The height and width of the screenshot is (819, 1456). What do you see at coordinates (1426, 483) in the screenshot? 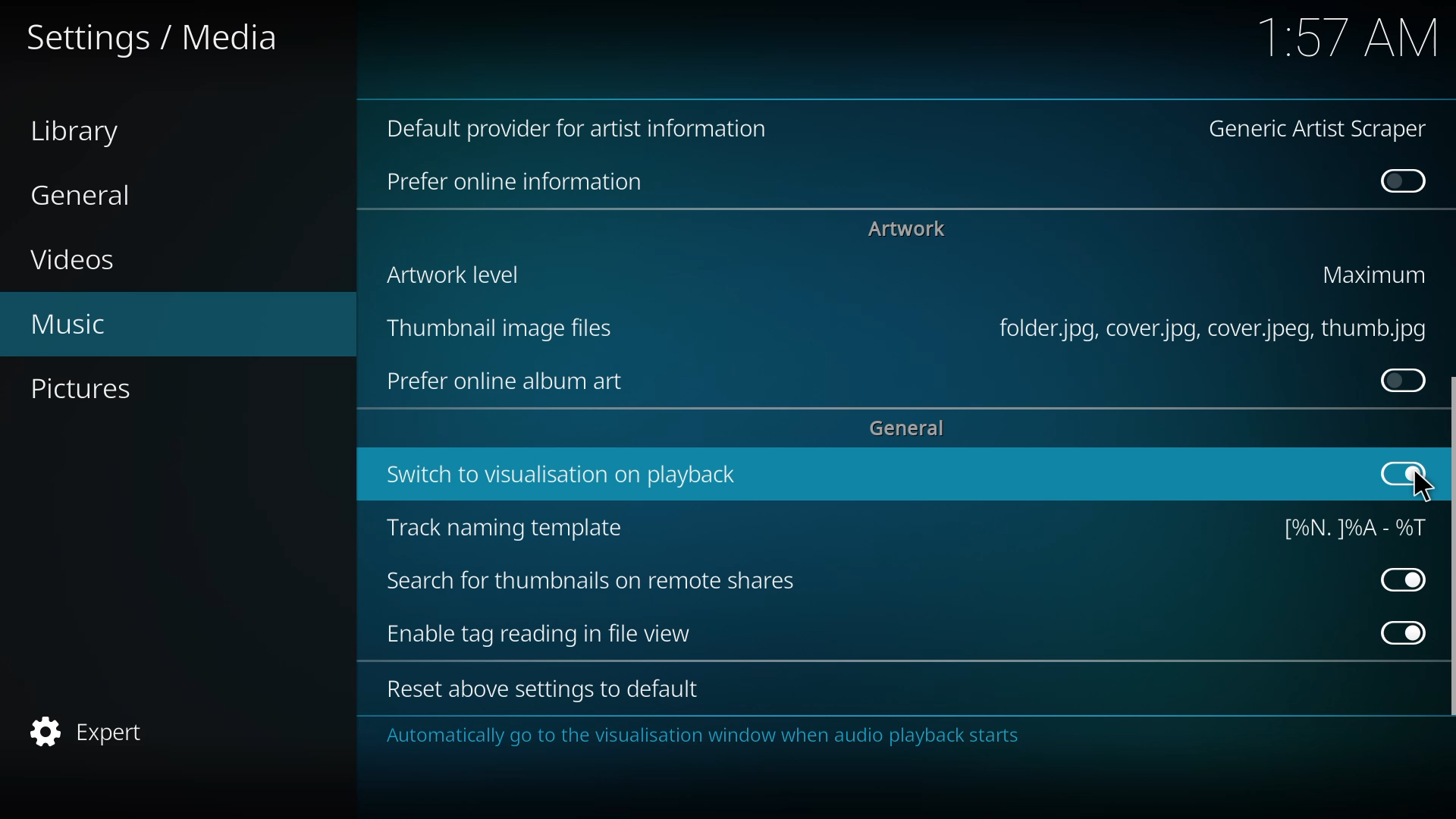
I see `cursor` at bounding box center [1426, 483].